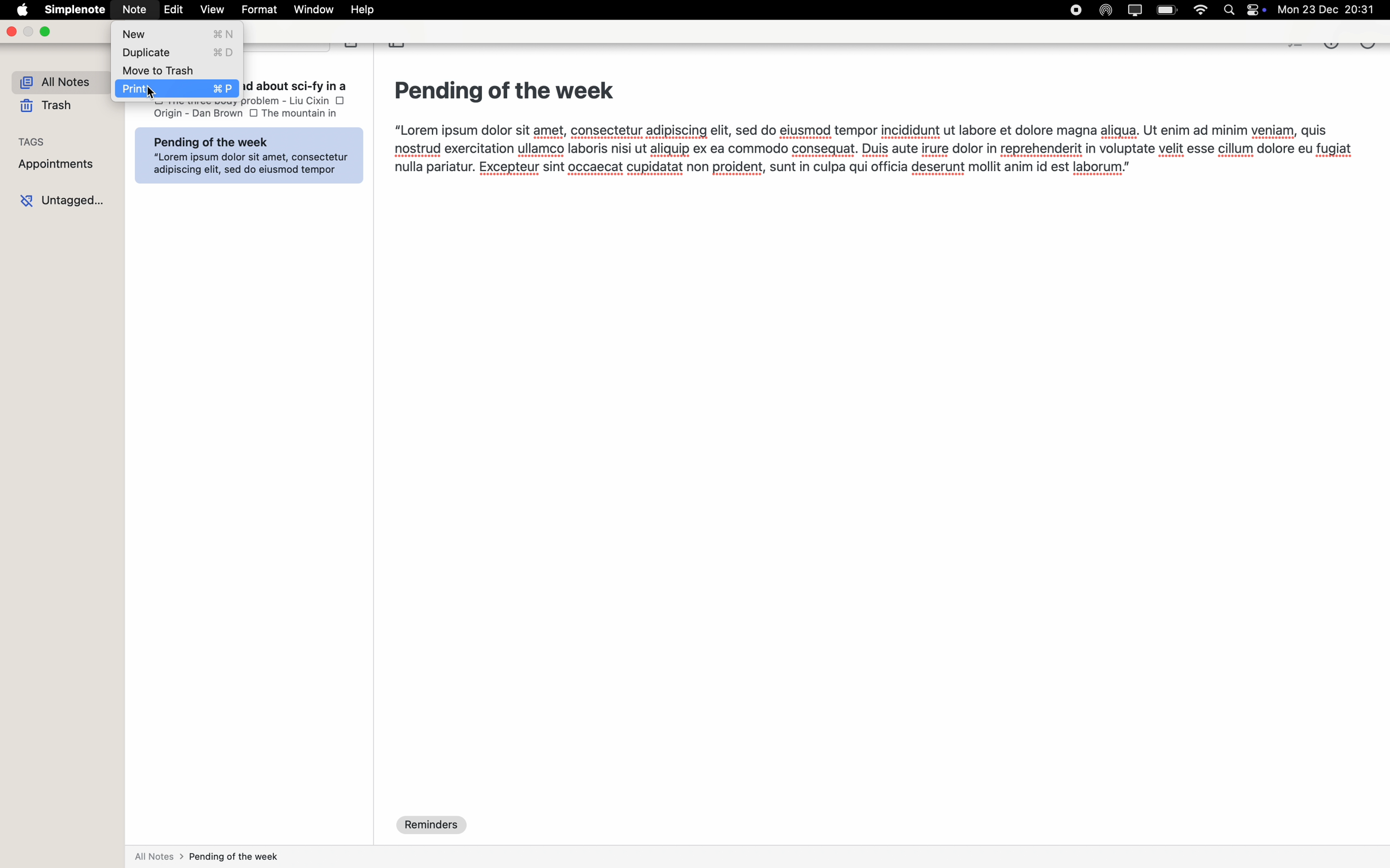 This screenshot has height=868, width=1390. What do you see at coordinates (11, 33) in the screenshot?
I see `close Simplenote` at bounding box center [11, 33].